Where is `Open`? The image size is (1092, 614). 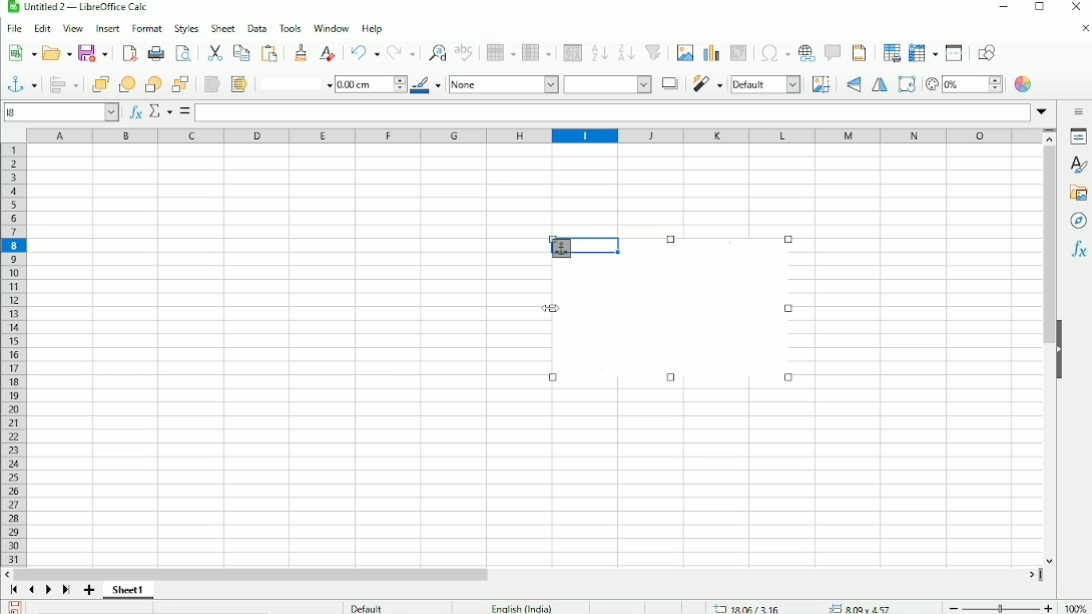 Open is located at coordinates (55, 52).